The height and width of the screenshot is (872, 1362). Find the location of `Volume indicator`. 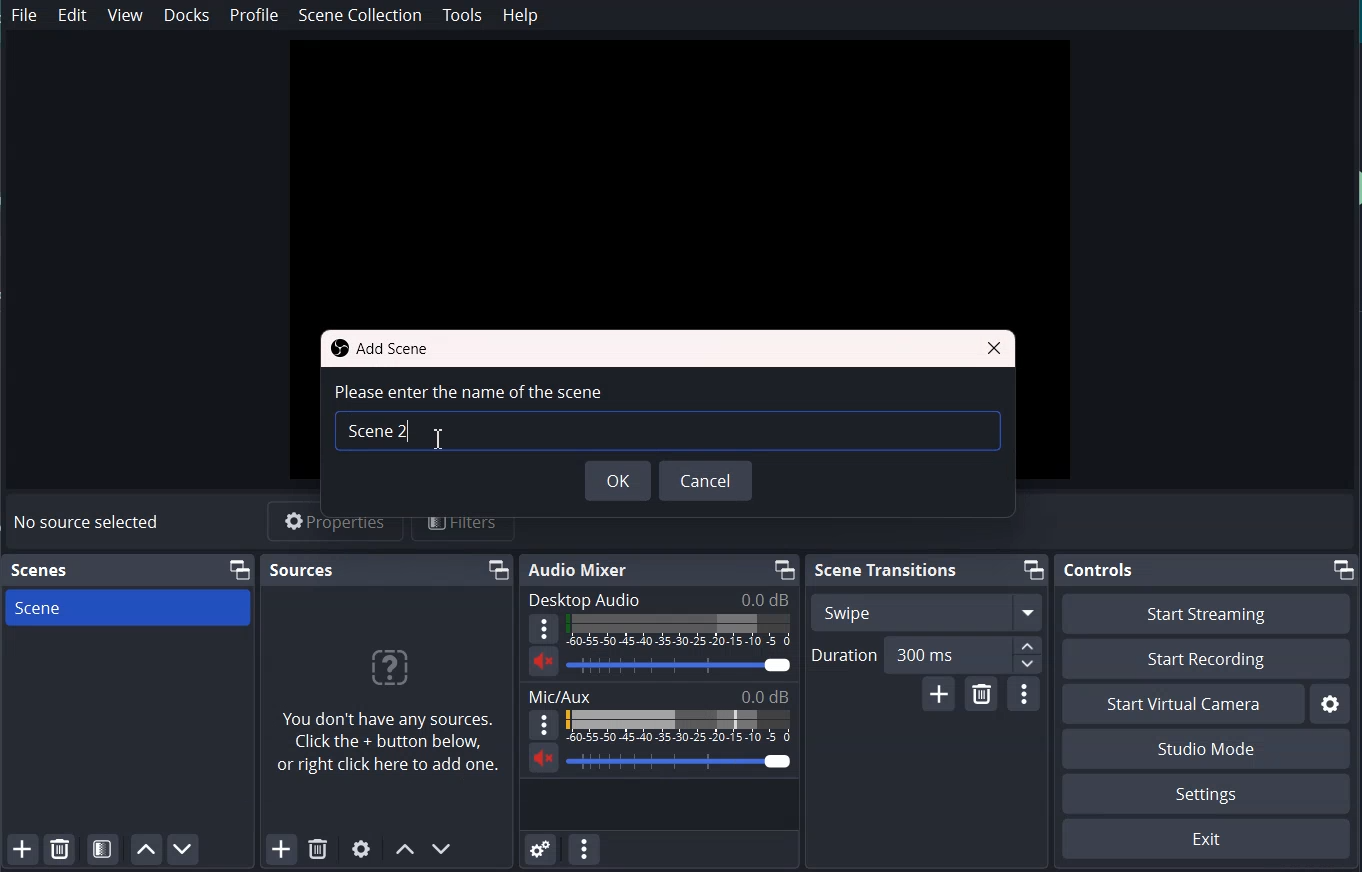

Volume indicator is located at coordinates (679, 630).